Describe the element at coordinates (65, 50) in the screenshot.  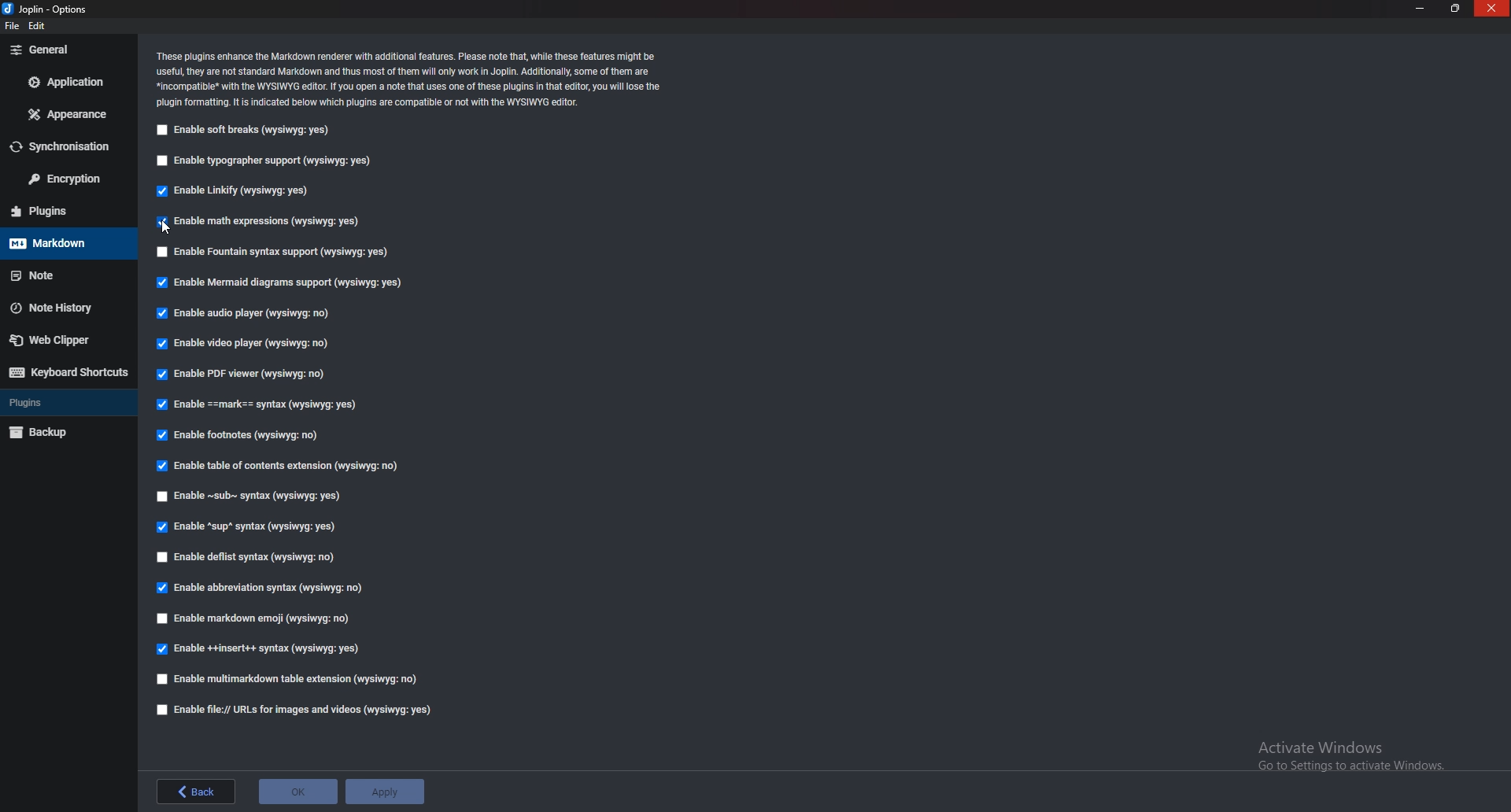
I see `general` at that location.